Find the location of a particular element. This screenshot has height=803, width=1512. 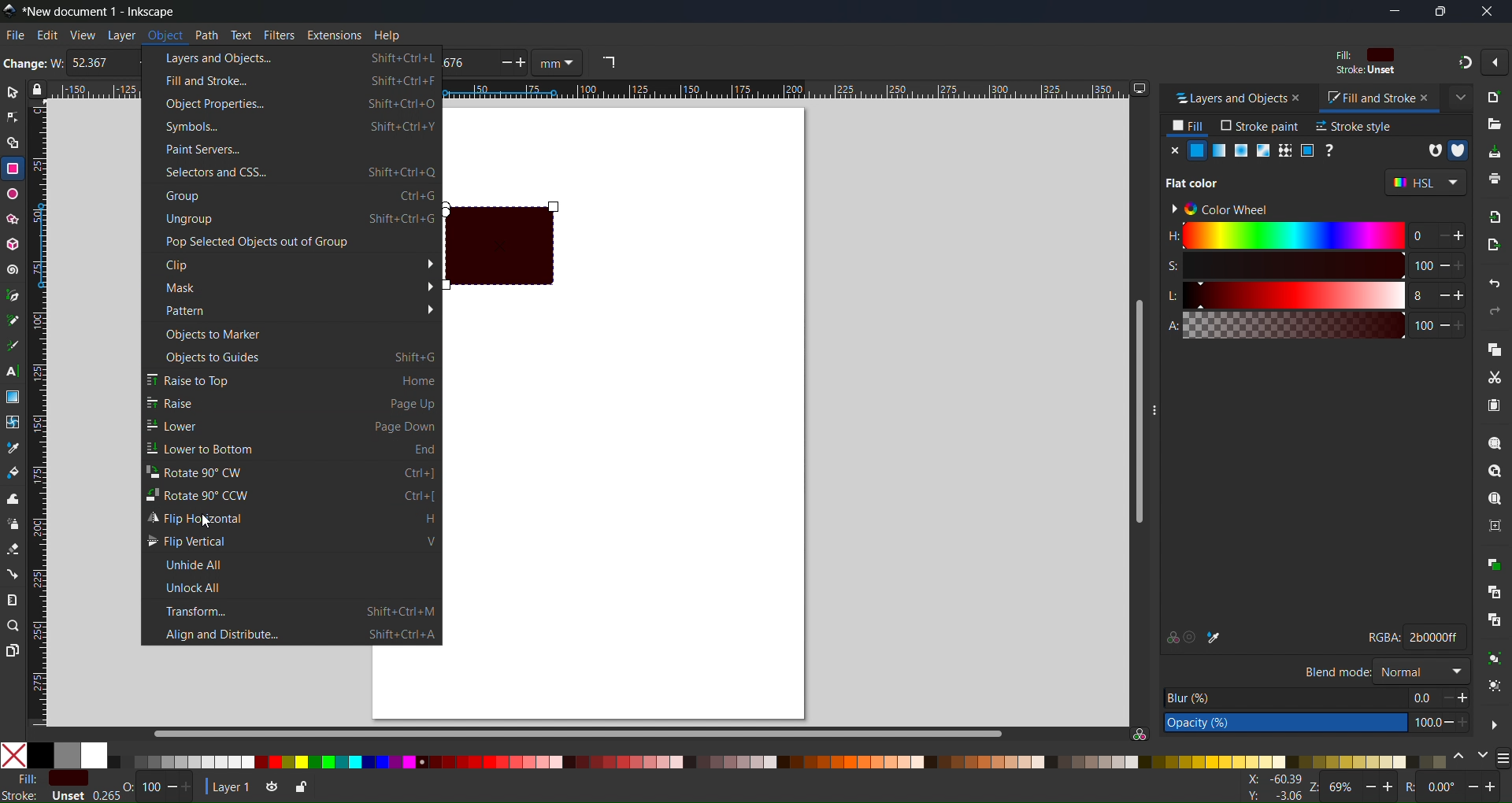

Z is located at coordinates (1314, 789).